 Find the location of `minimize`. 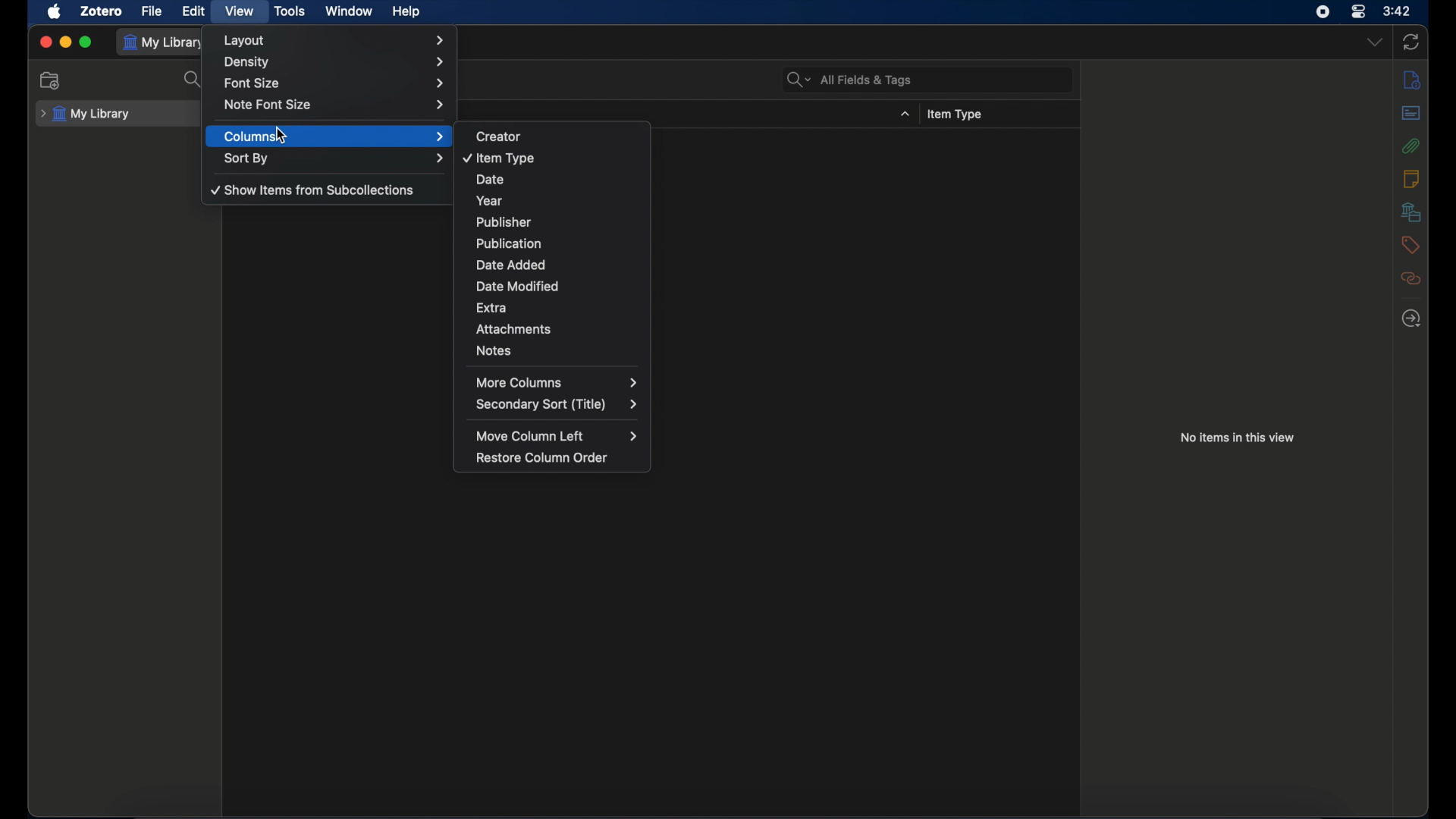

minimize is located at coordinates (65, 41).